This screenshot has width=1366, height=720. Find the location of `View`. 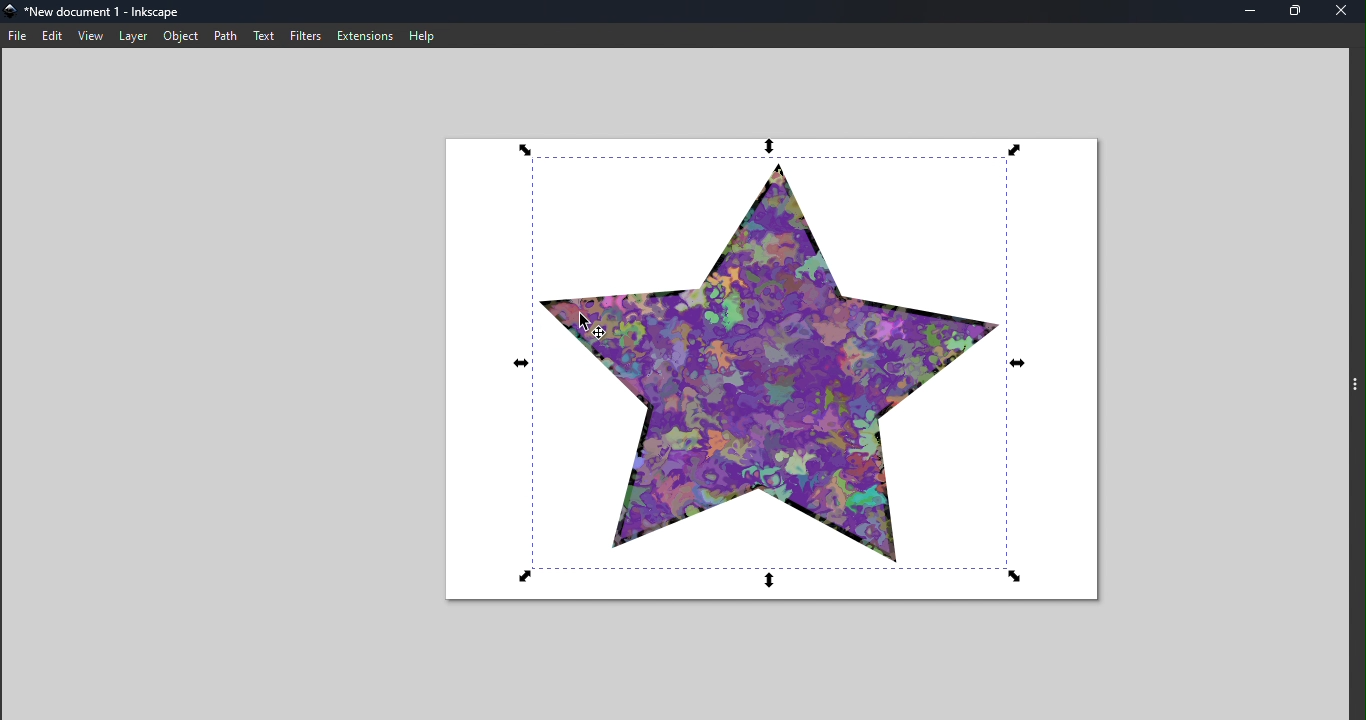

View is located at coordinates (93, 36).